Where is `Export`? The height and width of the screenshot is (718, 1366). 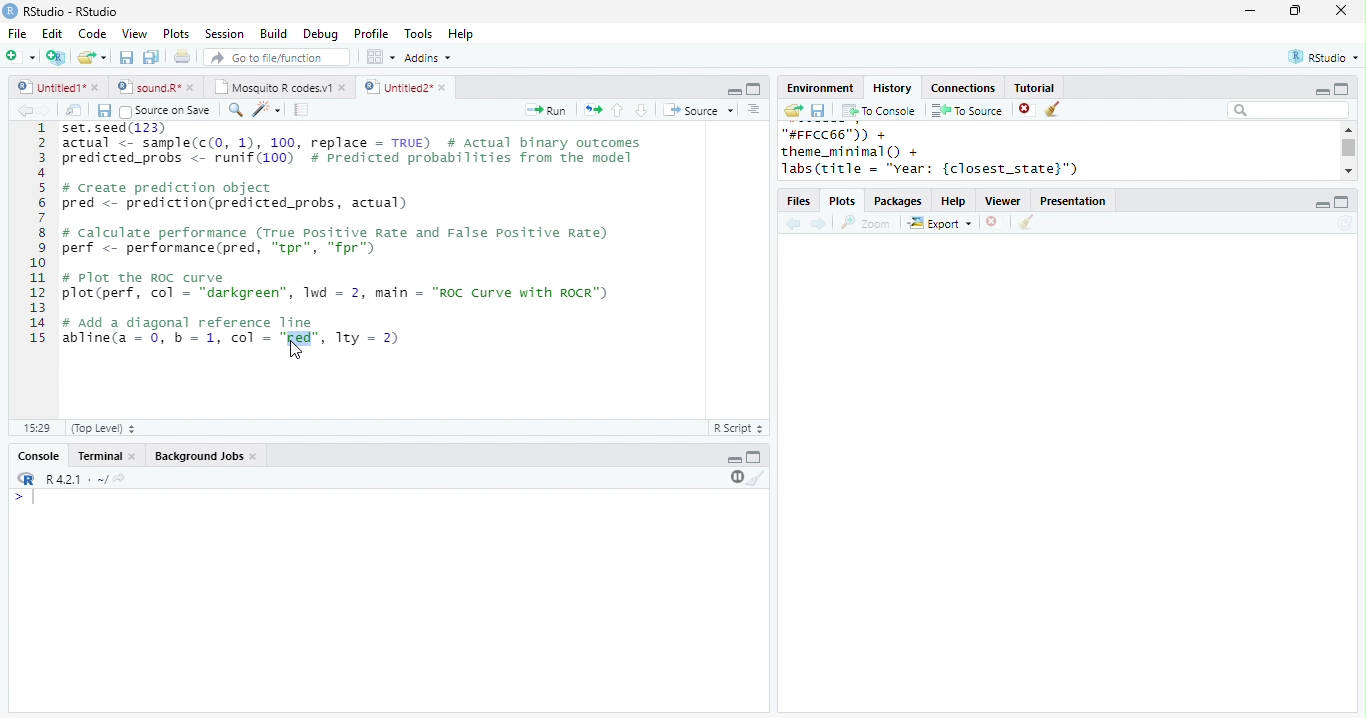 Export is located at coordinates (941, 224).